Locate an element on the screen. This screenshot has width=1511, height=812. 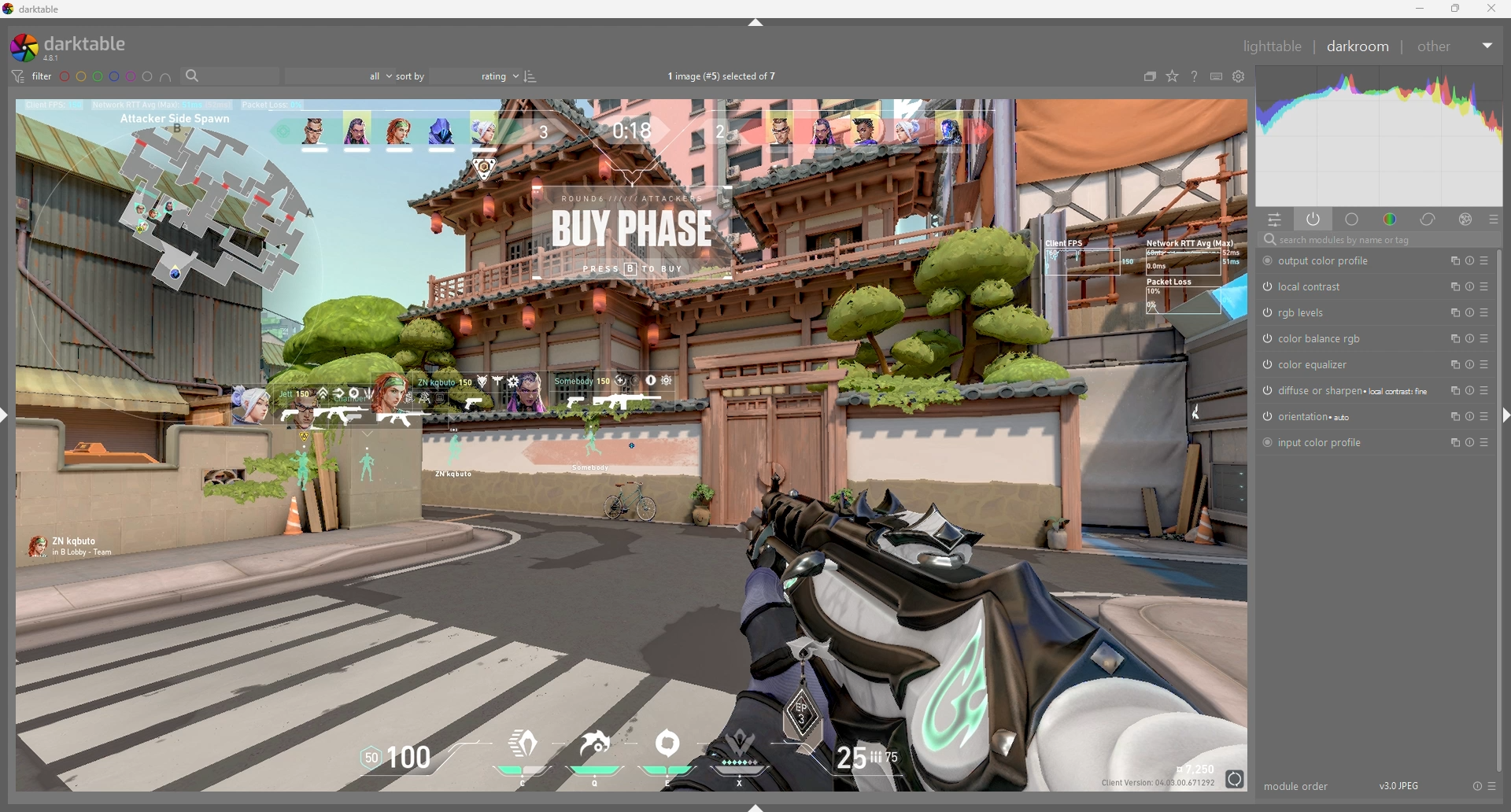
lighttable is located at coordinates (1275, 47).